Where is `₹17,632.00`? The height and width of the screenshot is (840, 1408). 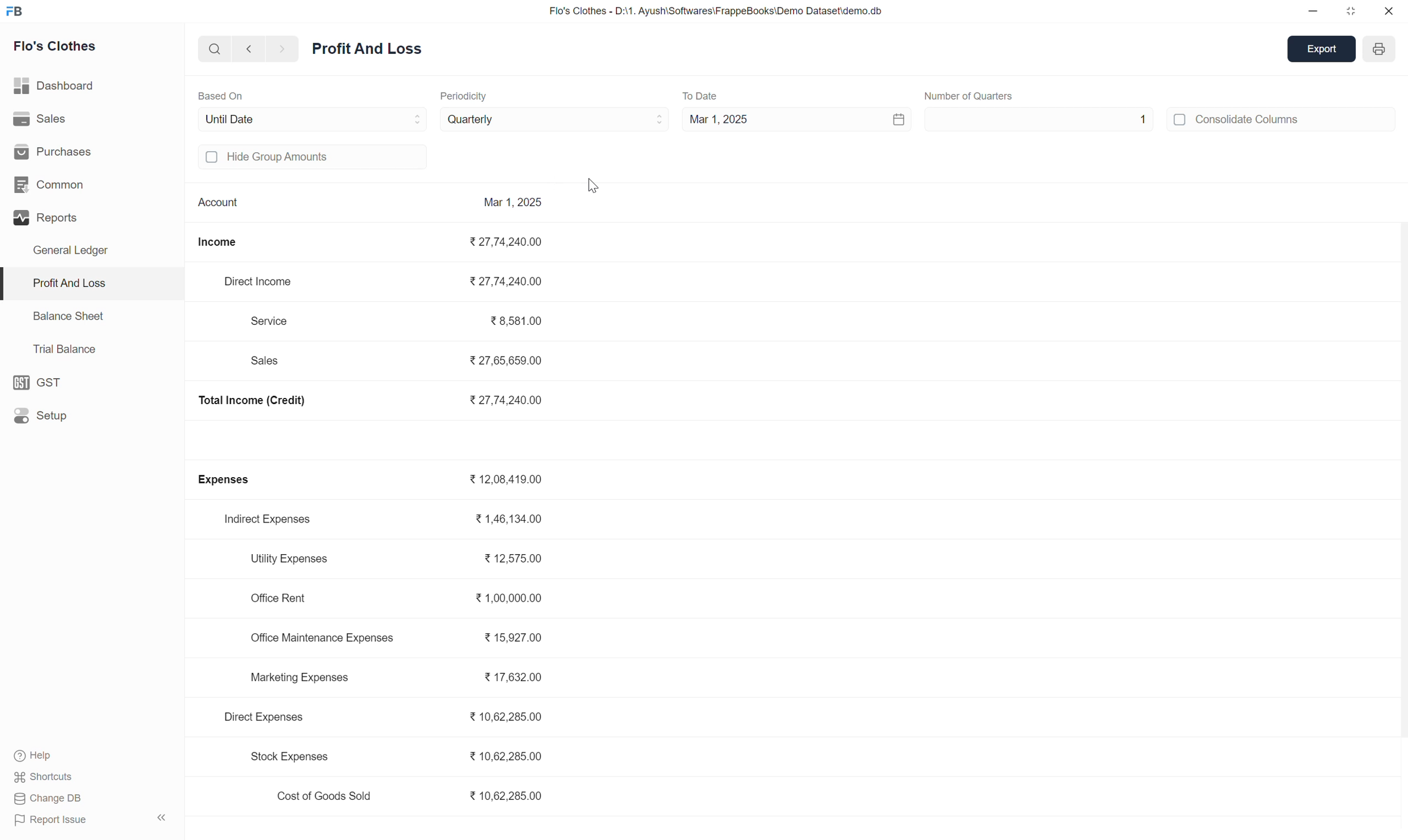 ₹17,632.00 is located at coordinates (516, 679).